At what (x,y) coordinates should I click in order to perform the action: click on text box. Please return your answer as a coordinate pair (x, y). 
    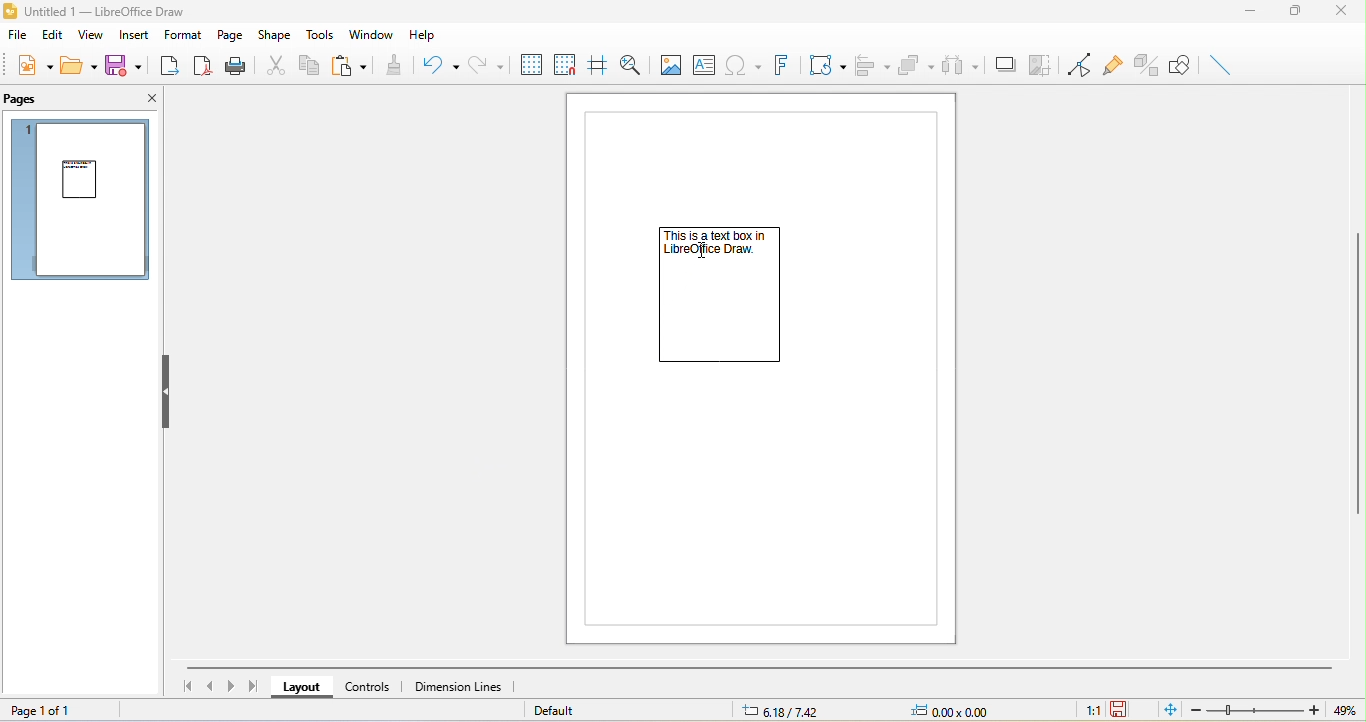
    Looking at the image, I should click on (705, 65).